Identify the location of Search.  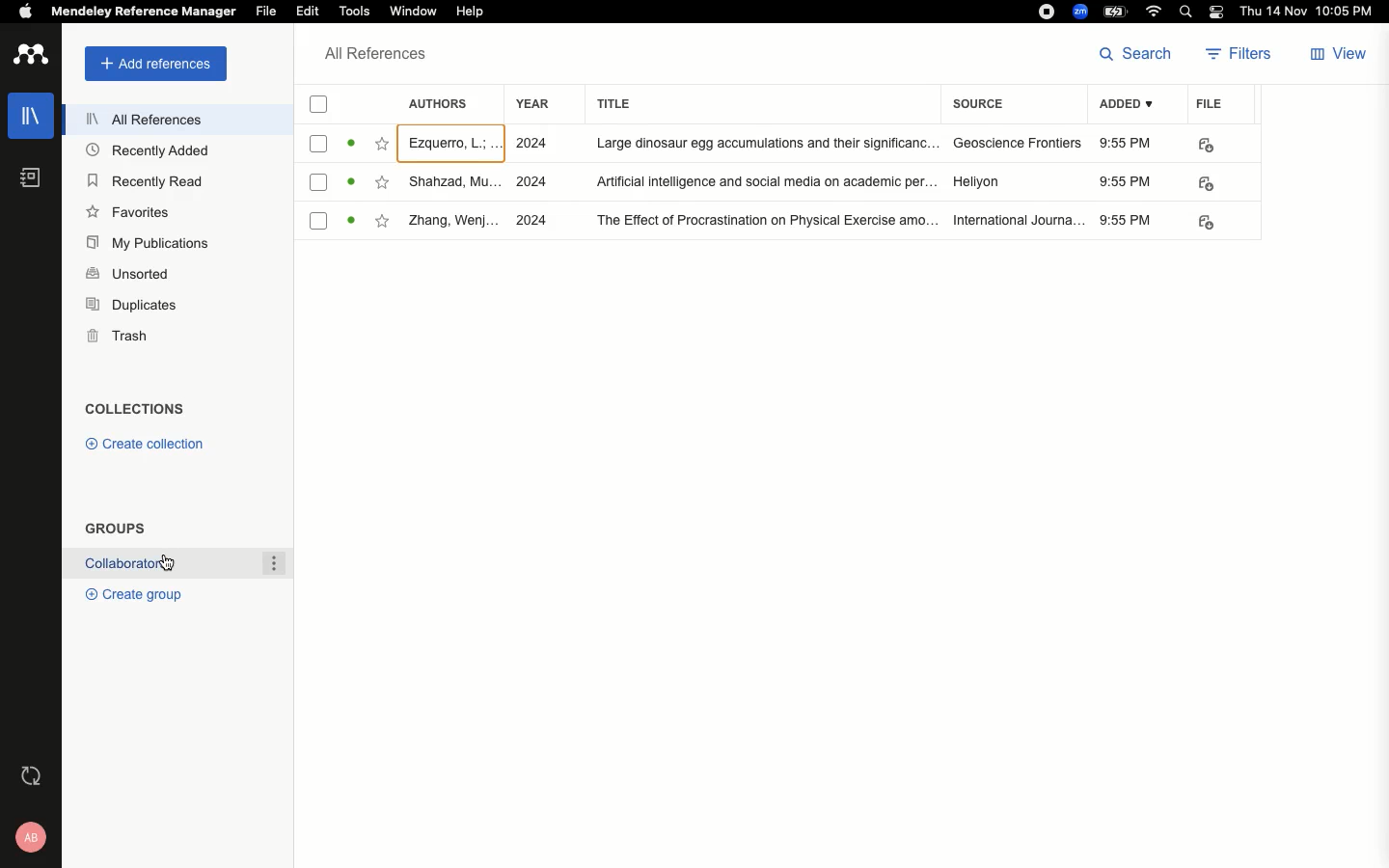
(1188, 14).